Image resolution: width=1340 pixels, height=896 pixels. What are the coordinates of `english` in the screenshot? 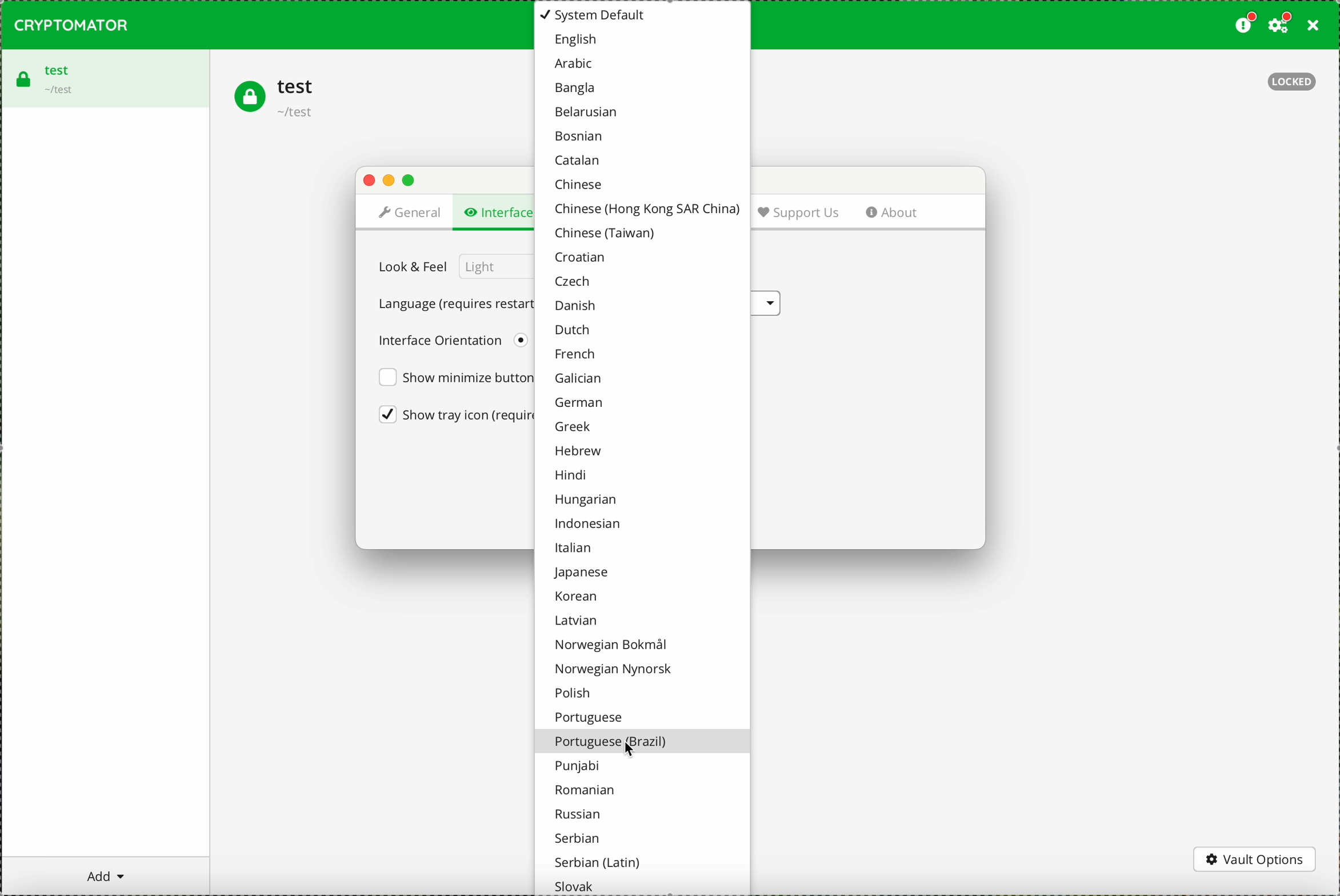 It's located at (578, 38).